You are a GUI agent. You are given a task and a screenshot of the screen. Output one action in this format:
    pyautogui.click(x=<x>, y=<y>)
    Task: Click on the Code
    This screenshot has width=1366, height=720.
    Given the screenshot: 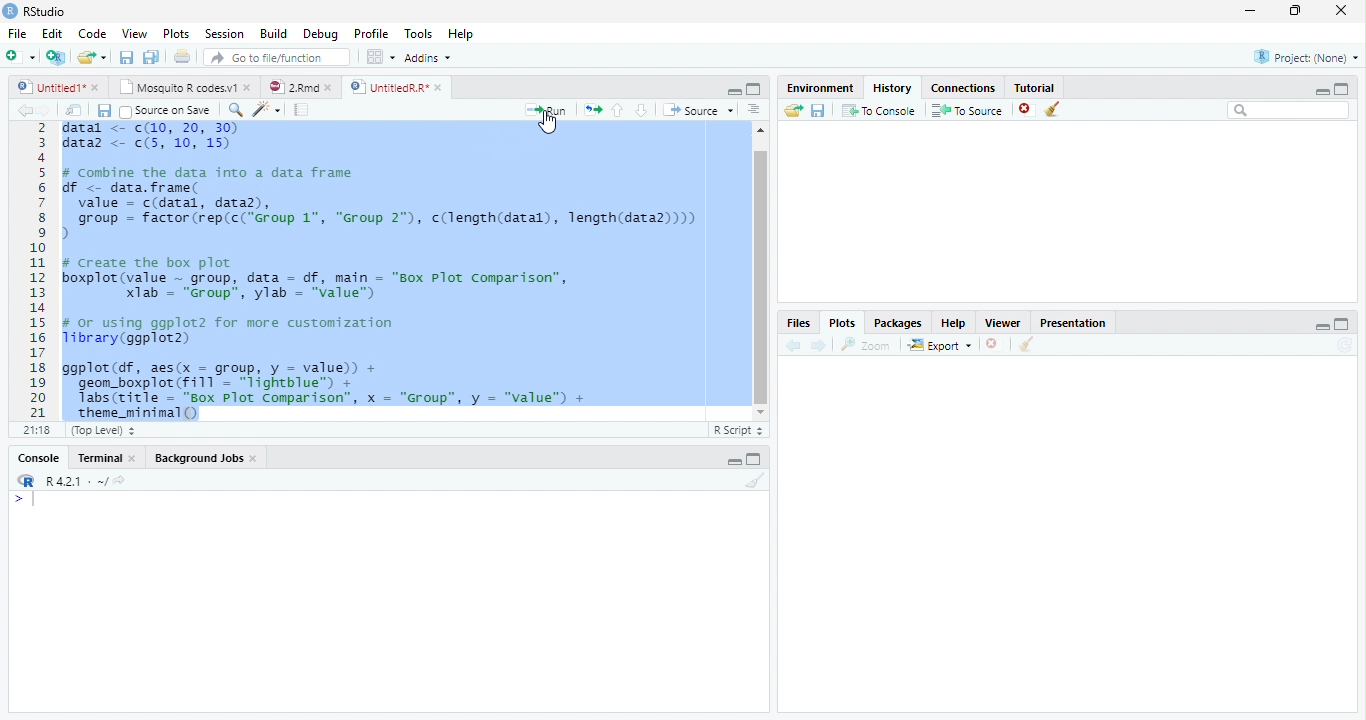 What is the action you would take?
    pyautogui.click(x=91, y=34)
    